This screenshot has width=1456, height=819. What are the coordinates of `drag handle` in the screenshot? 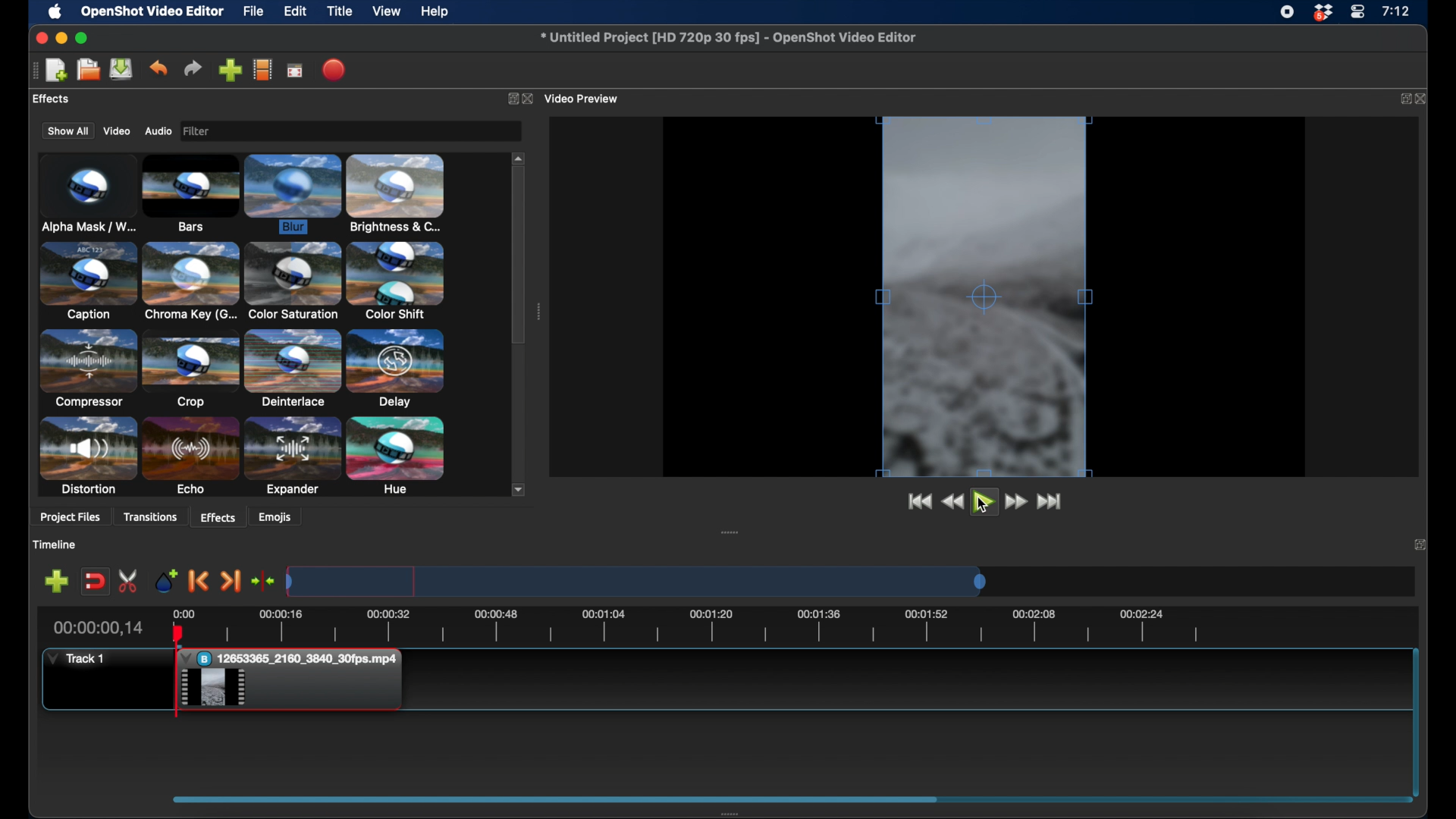 It's located at (555, 798).